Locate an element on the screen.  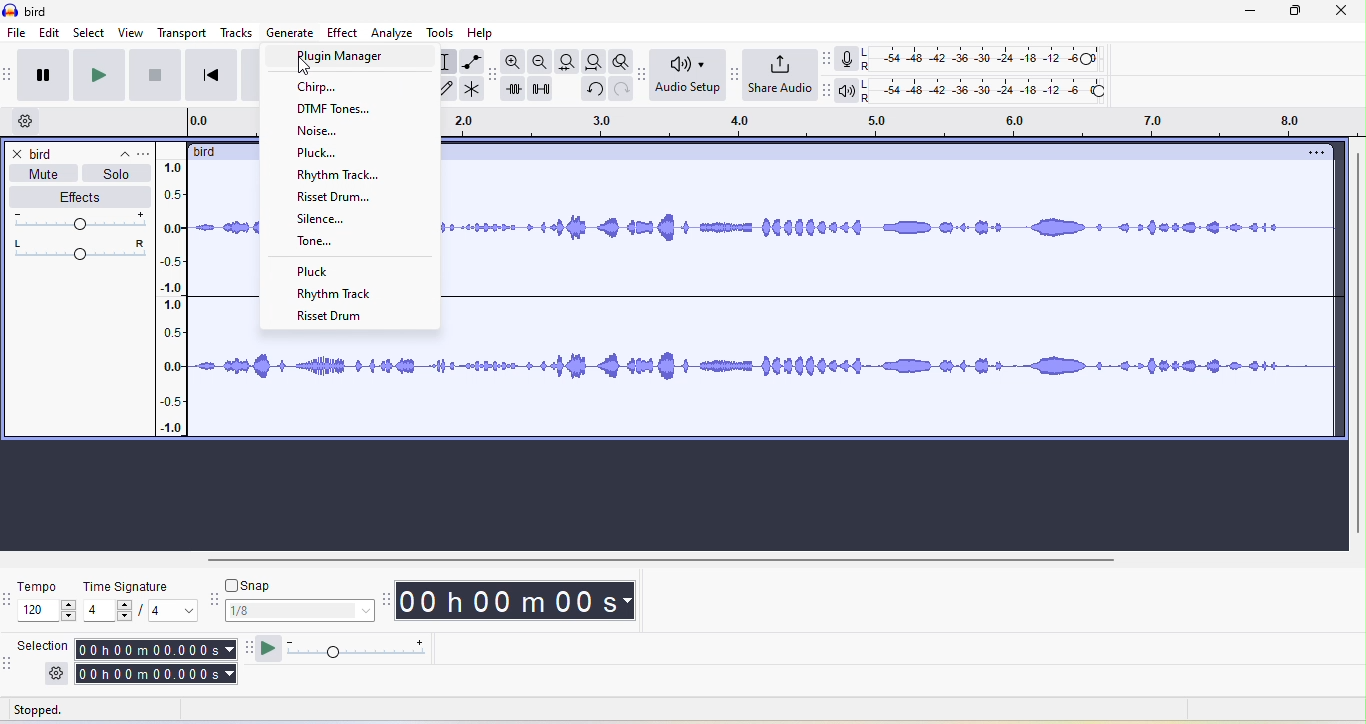
time signature is located at coordinates (140, 599).